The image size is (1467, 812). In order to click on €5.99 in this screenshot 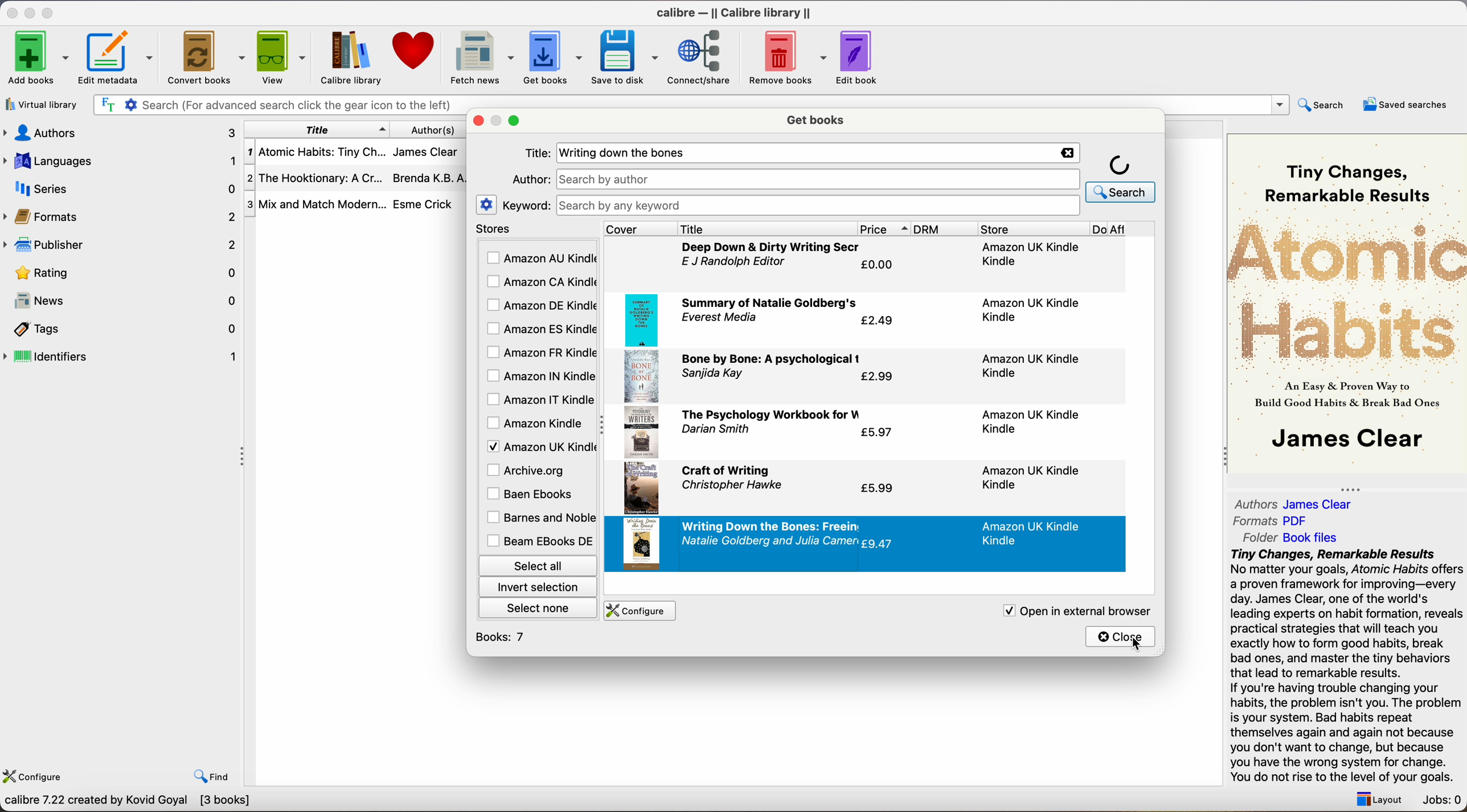, I will do `click(877, 490)`.